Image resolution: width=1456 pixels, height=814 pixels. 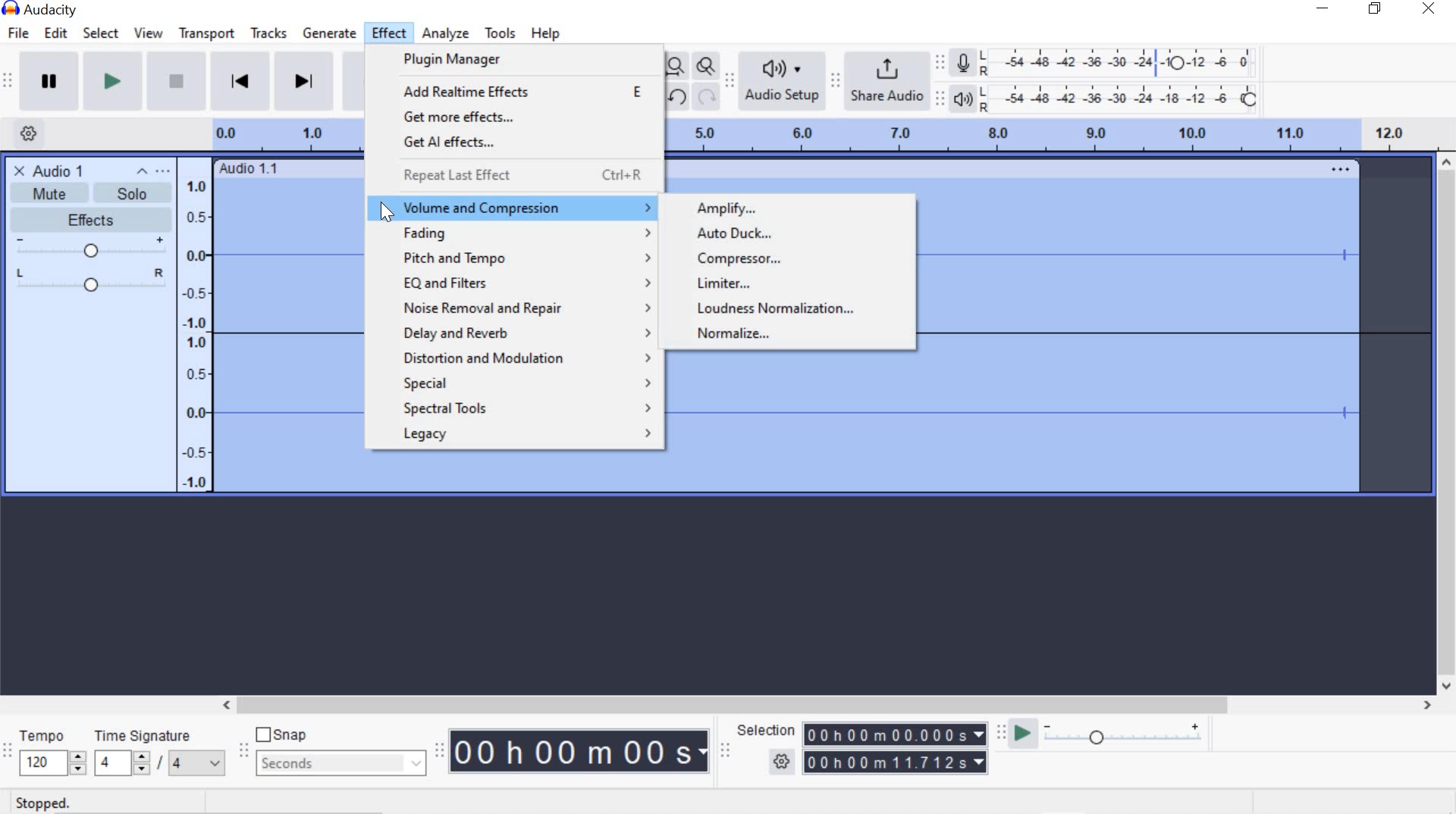 I want to click on Stop, so click(x=174, y=83).